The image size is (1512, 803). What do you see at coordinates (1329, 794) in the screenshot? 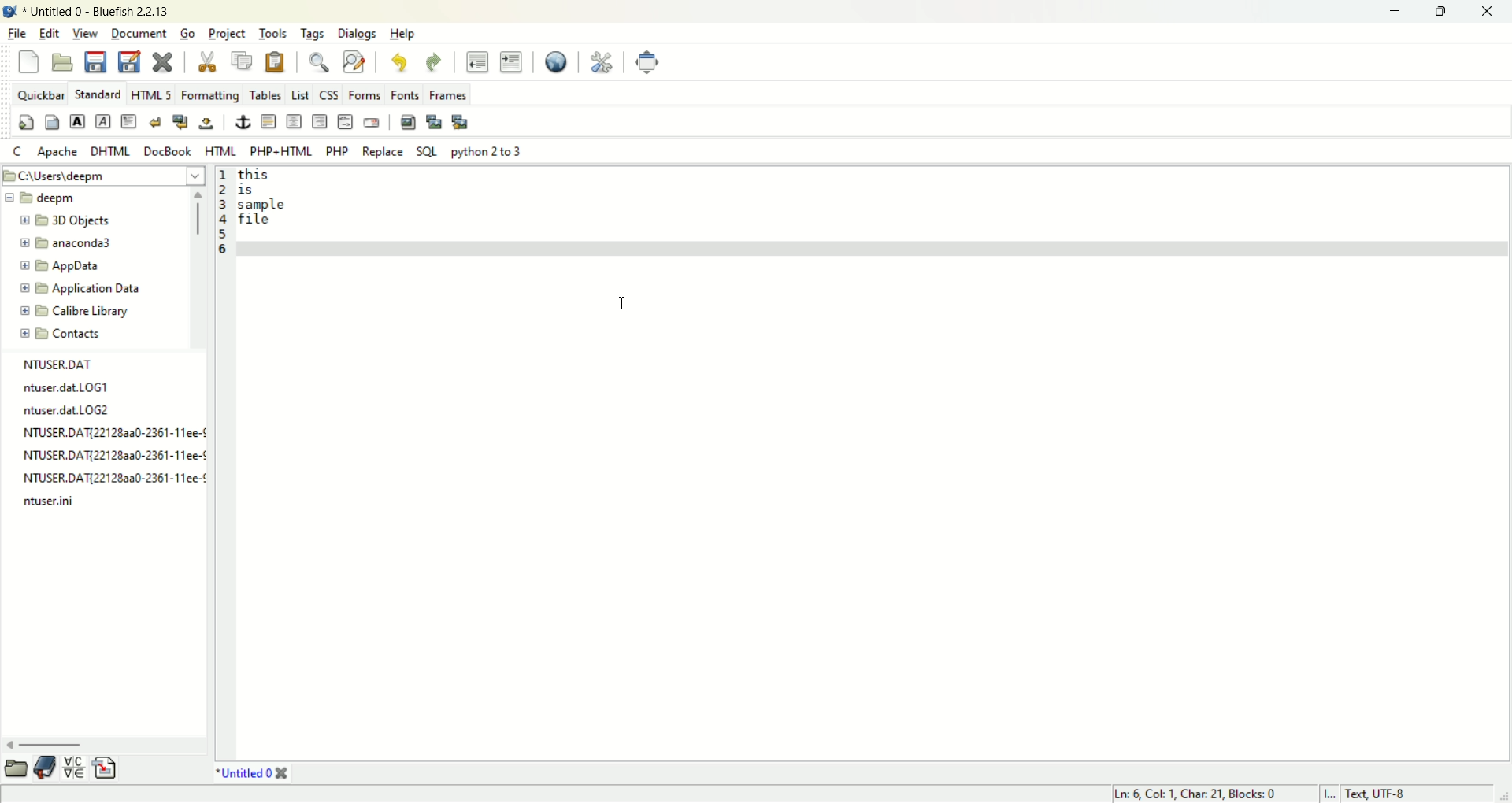
I see `I` at bounding box center [1329, 794].